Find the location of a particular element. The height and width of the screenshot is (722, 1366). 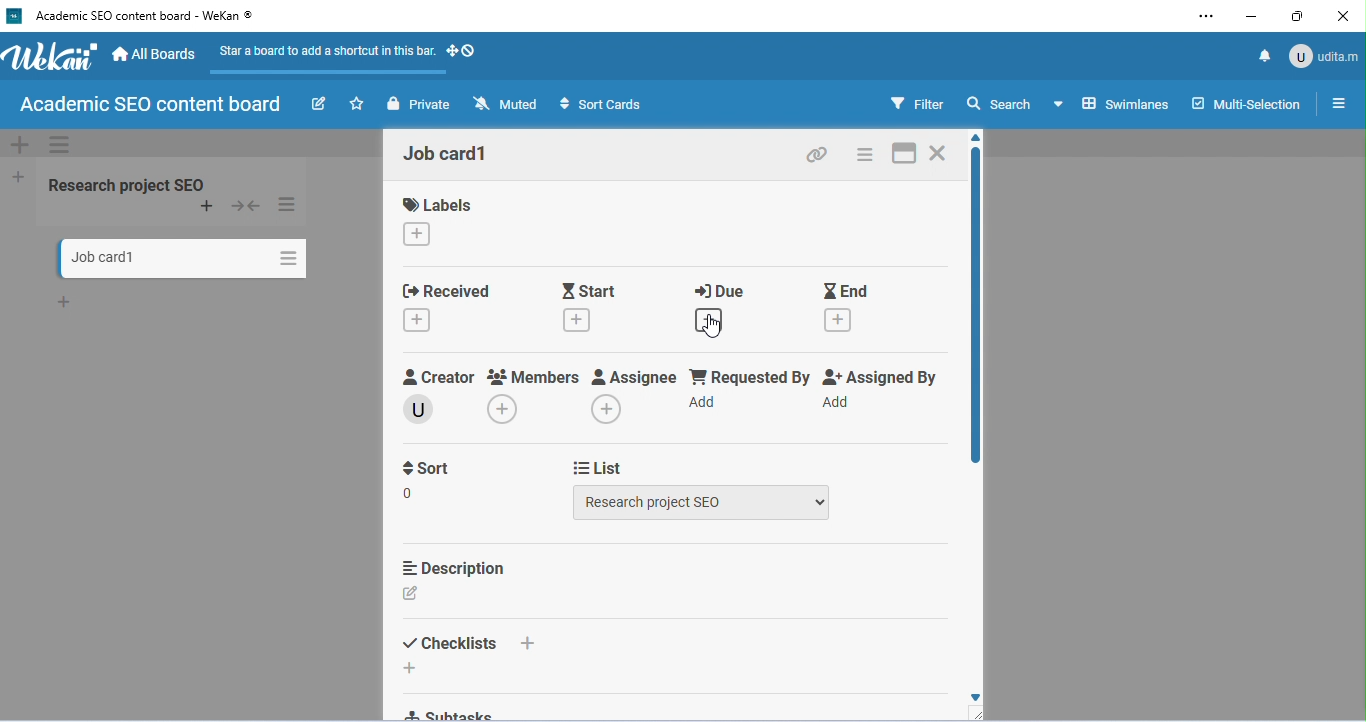

search is located at coordinates (999, 102).